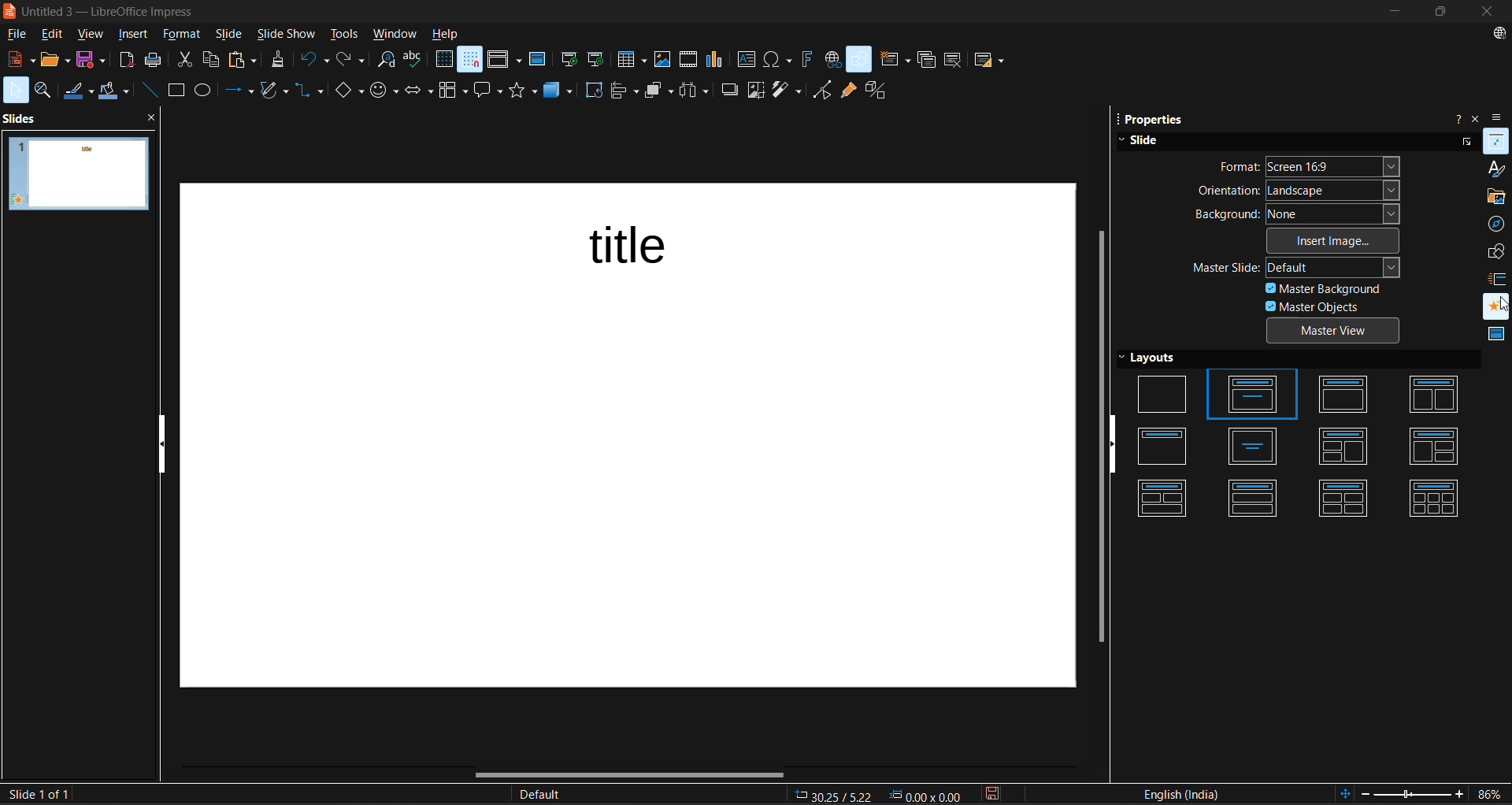 Image resolution: width=1512 pixels, height=805 pixels. I want to click on insert chart, so click(716, 60).